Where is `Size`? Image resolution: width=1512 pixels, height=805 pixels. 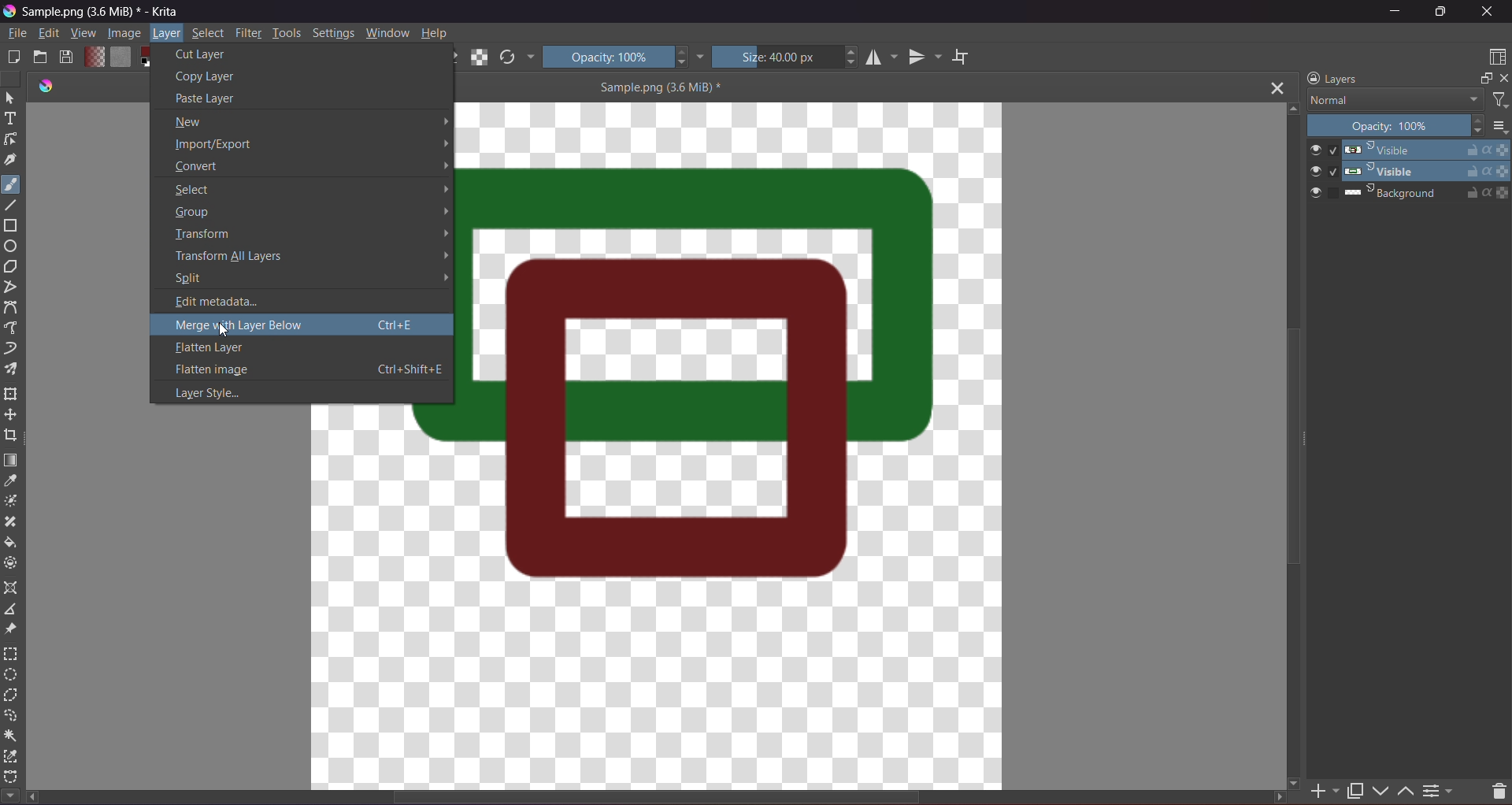 Size is located at coordinates (787, 56).